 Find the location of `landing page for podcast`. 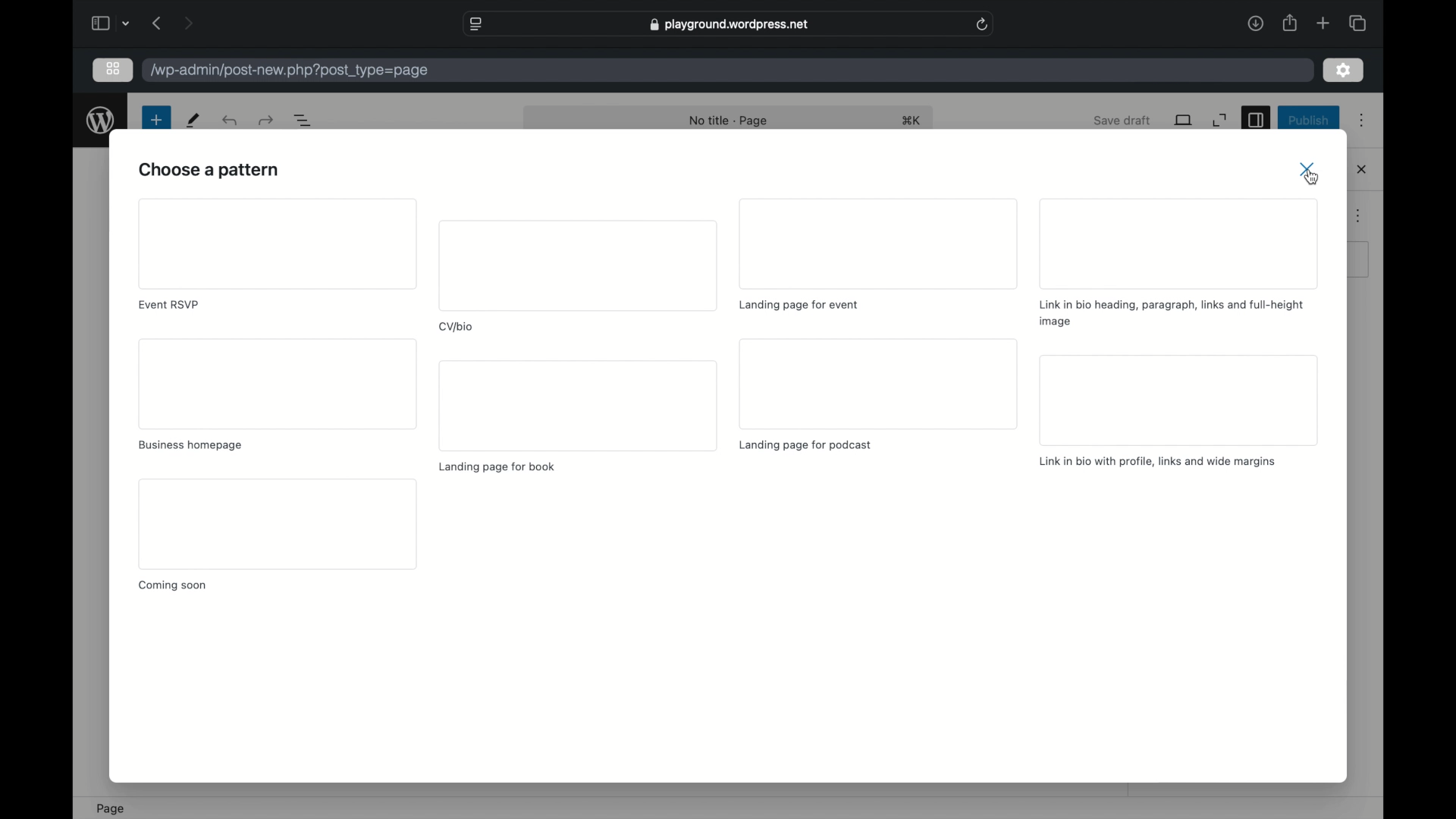

landing page for podcast is located at coordinates (808, 447).